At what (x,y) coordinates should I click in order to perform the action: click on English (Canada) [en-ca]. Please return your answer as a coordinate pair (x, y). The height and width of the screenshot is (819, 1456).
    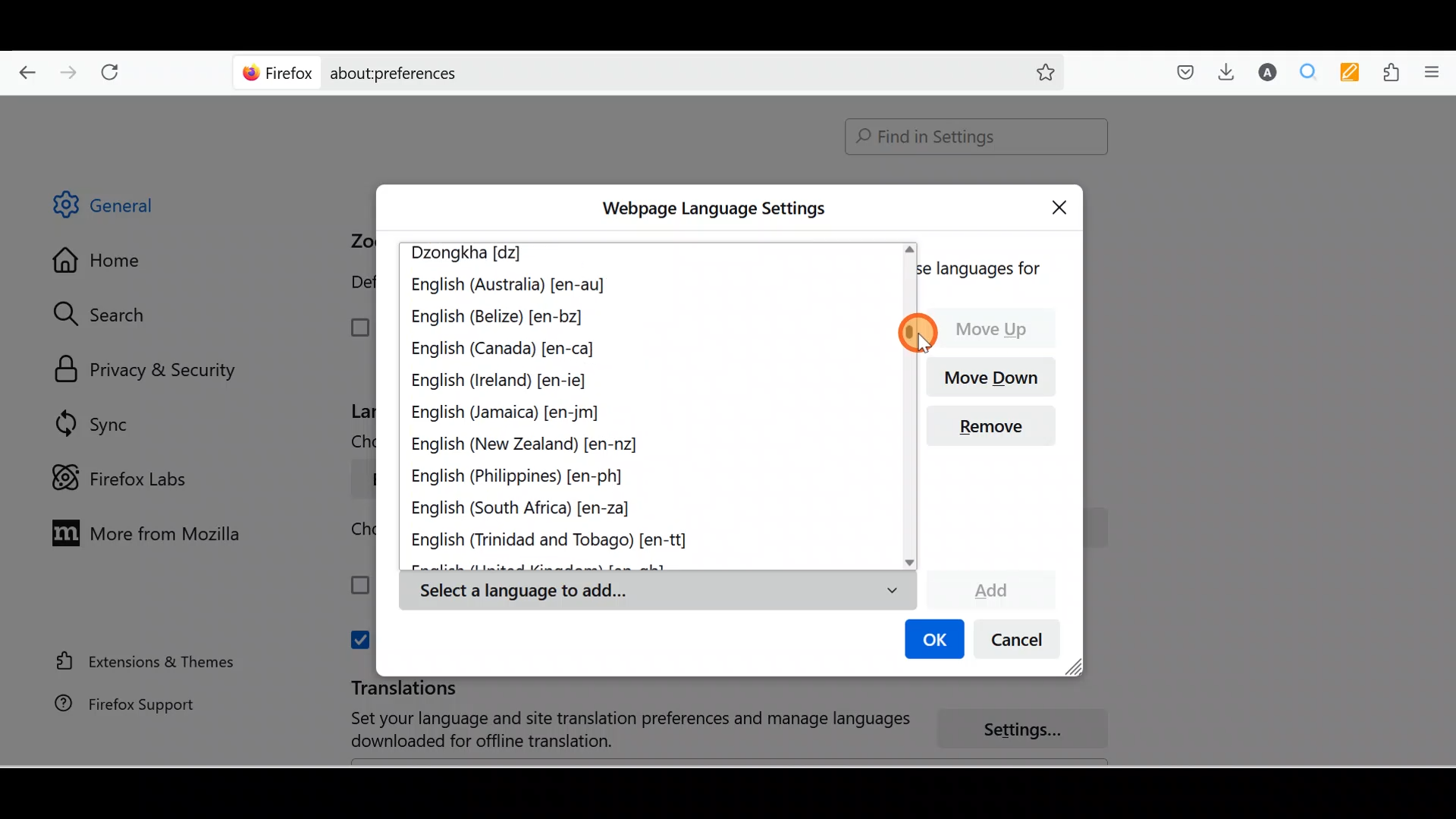
    Looking at the image, I should click on (504, 347).